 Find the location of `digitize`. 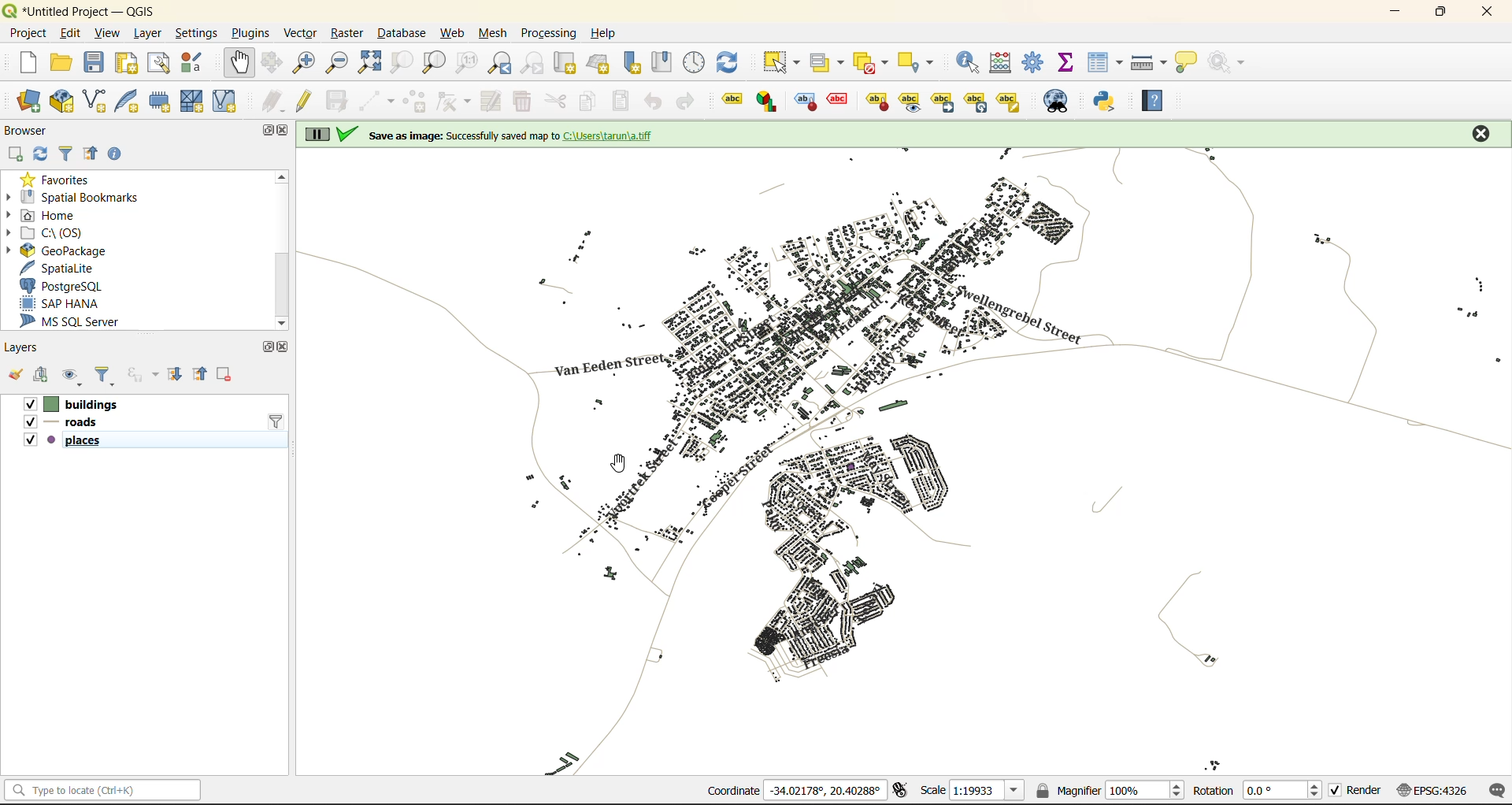

digitize is located at coordinates (373, 100).